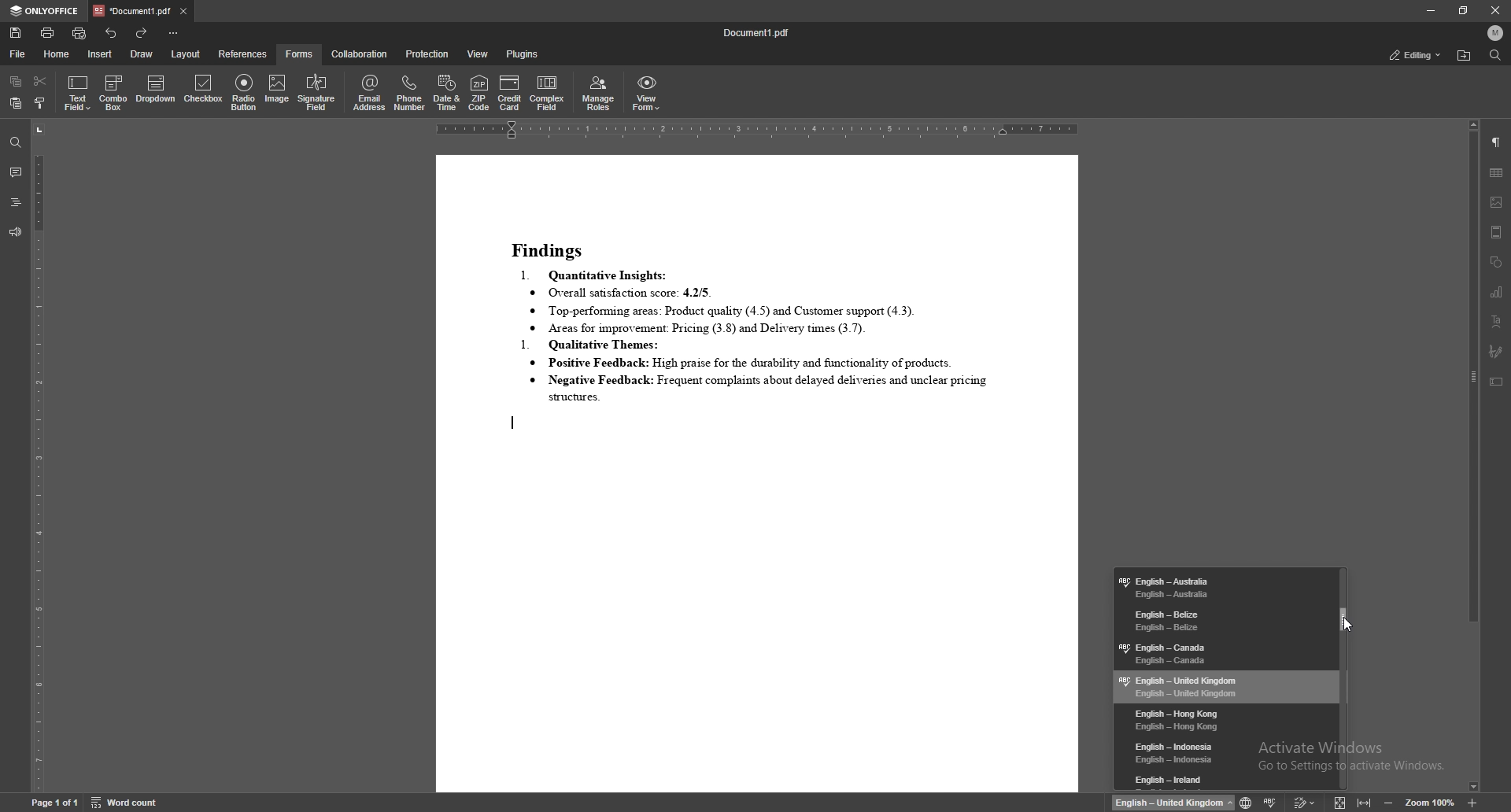 Image resolution: width=1511 pixels, height=812 pixels. What do you see at coordinates (480, 92) in the screenshot?
I see `zip code` at bounding box center [480, 92].